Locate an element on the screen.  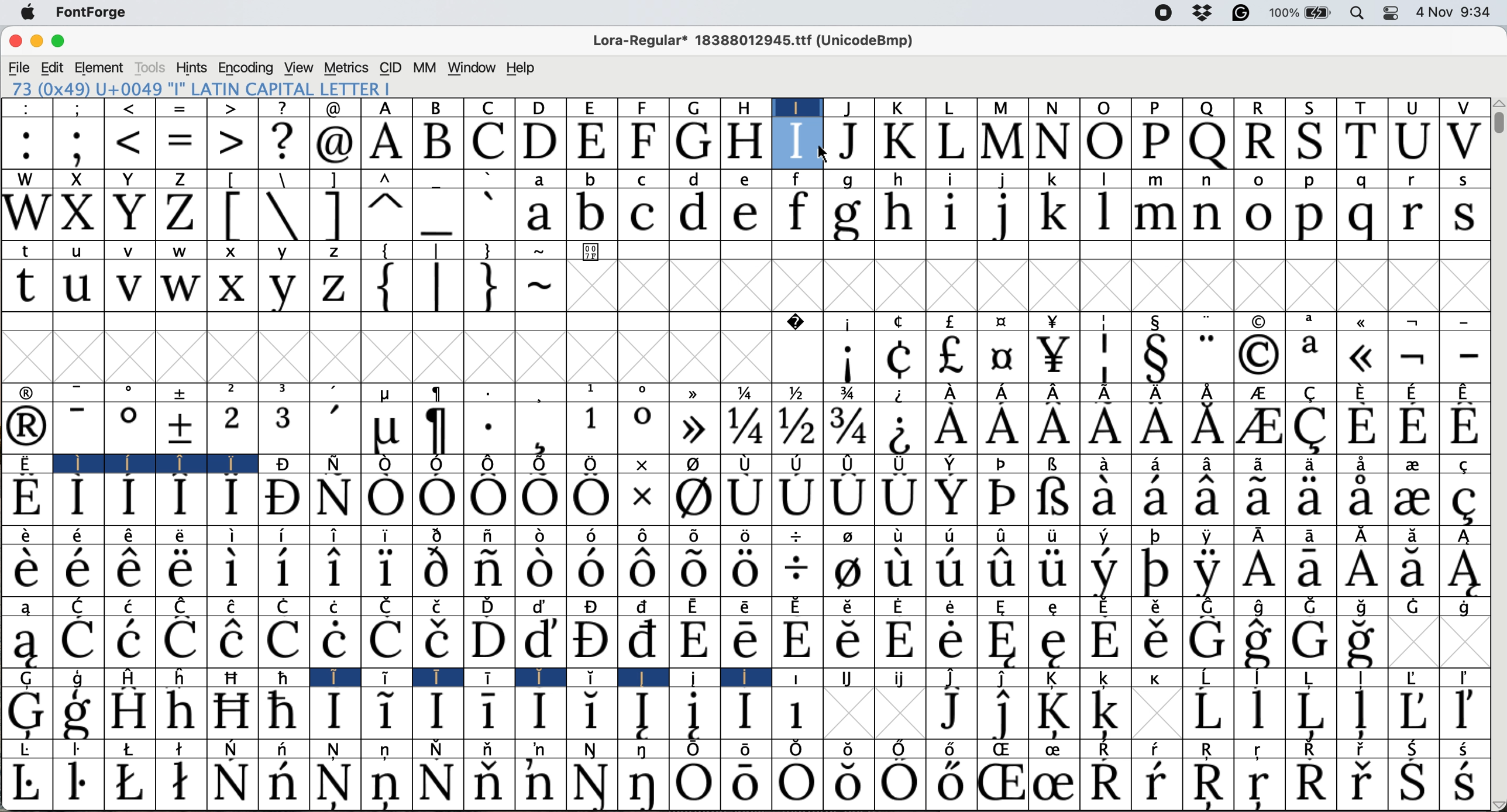
Symbol is located at coordinates (1210, 676).